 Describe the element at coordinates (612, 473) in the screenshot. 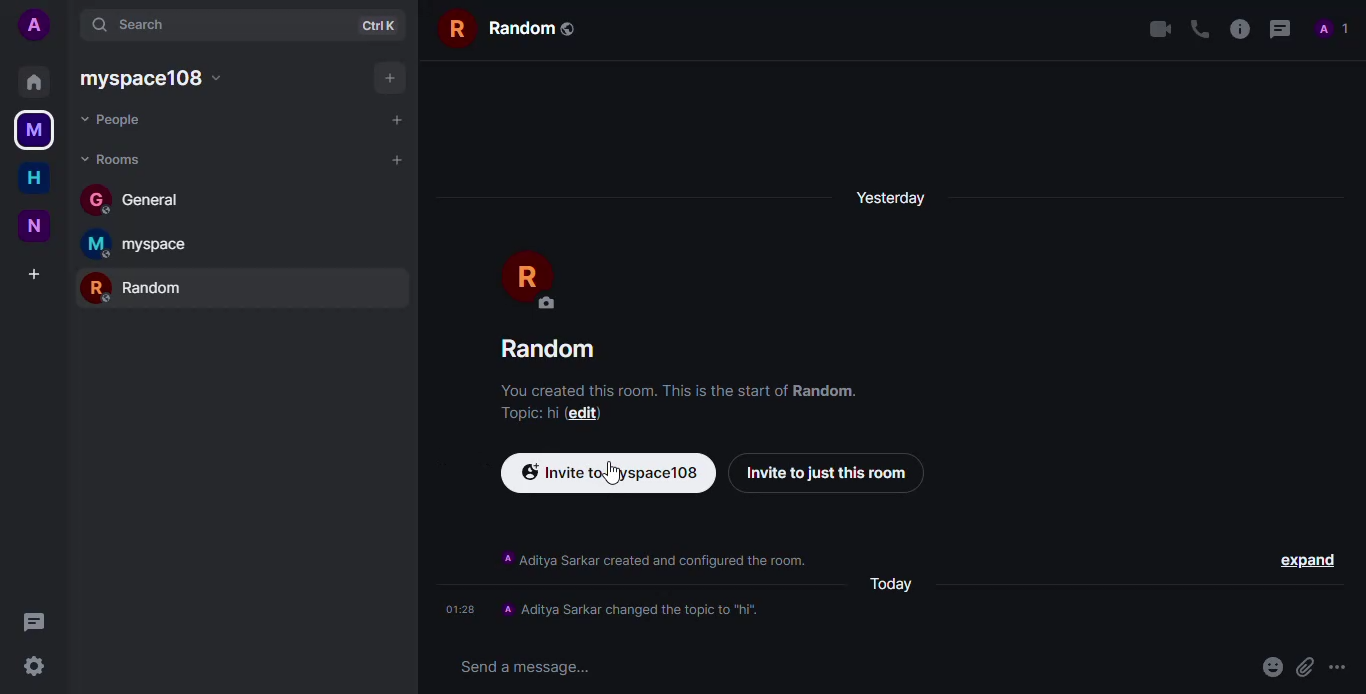

I see `cursor` at that location.